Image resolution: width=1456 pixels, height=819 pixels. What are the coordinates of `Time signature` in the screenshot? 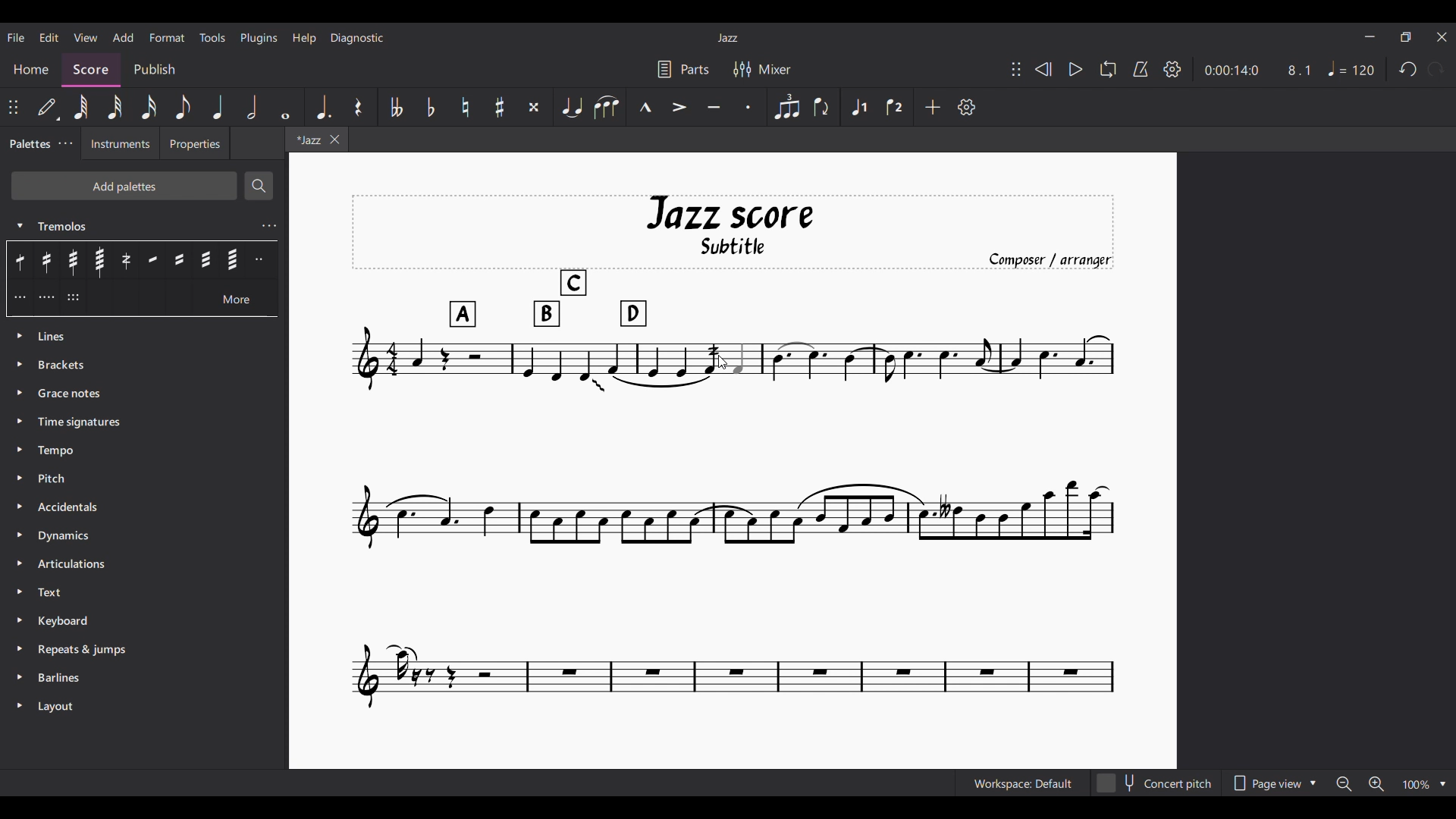 It's located at (143, 422).